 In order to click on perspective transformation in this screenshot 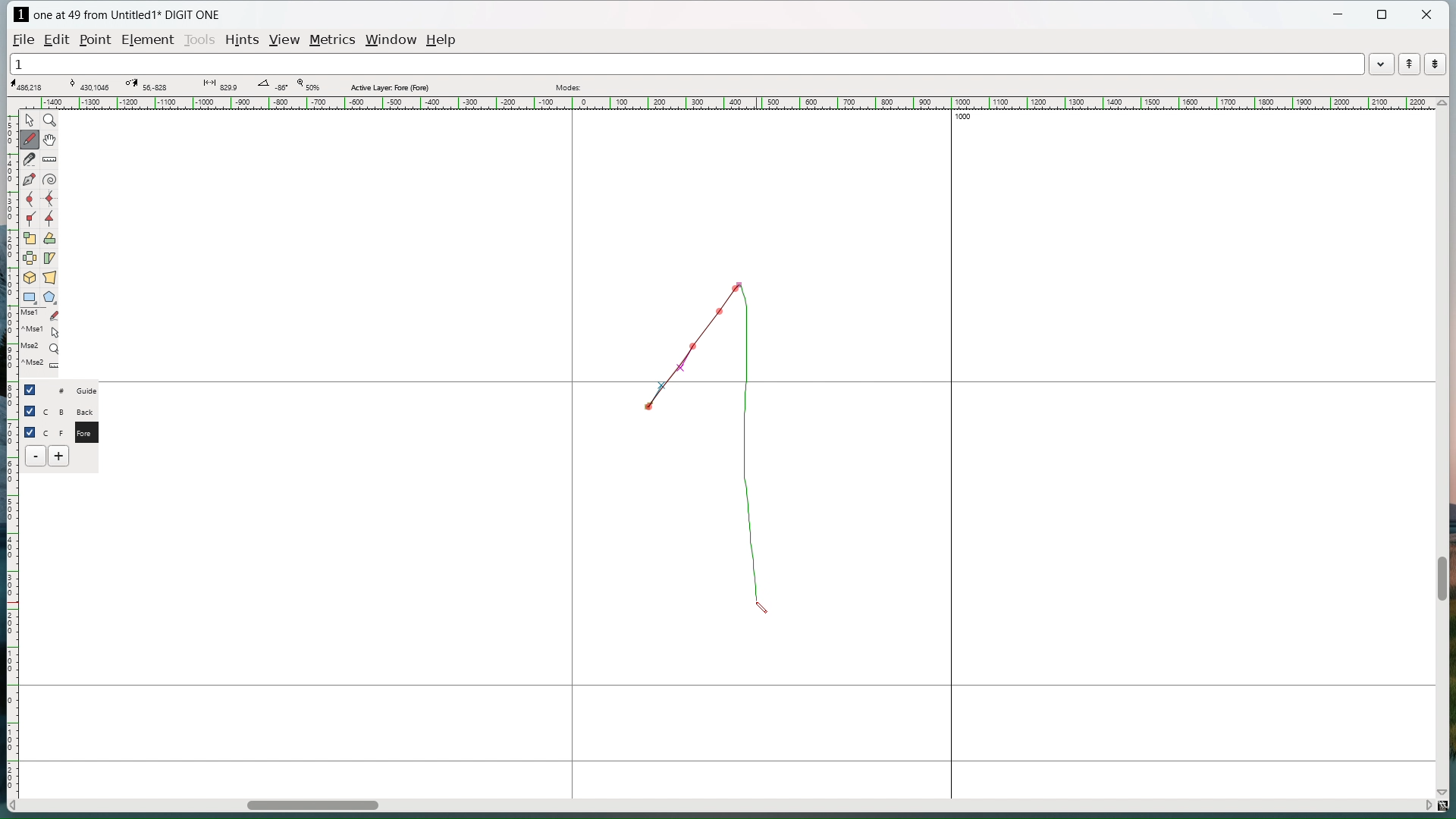, I will do `click(49, 277)`.